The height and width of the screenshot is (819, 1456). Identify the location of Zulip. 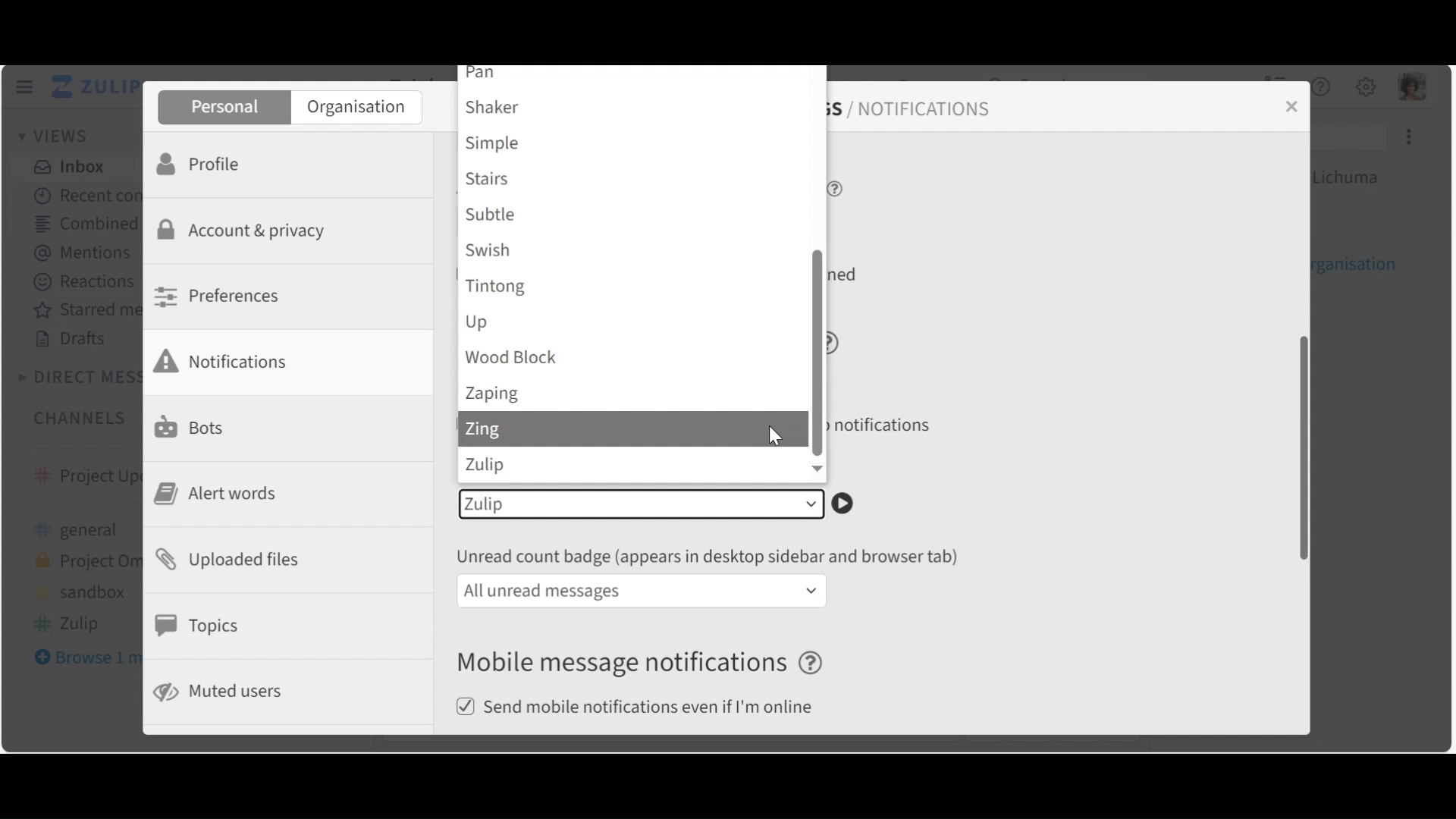
(635, 466).